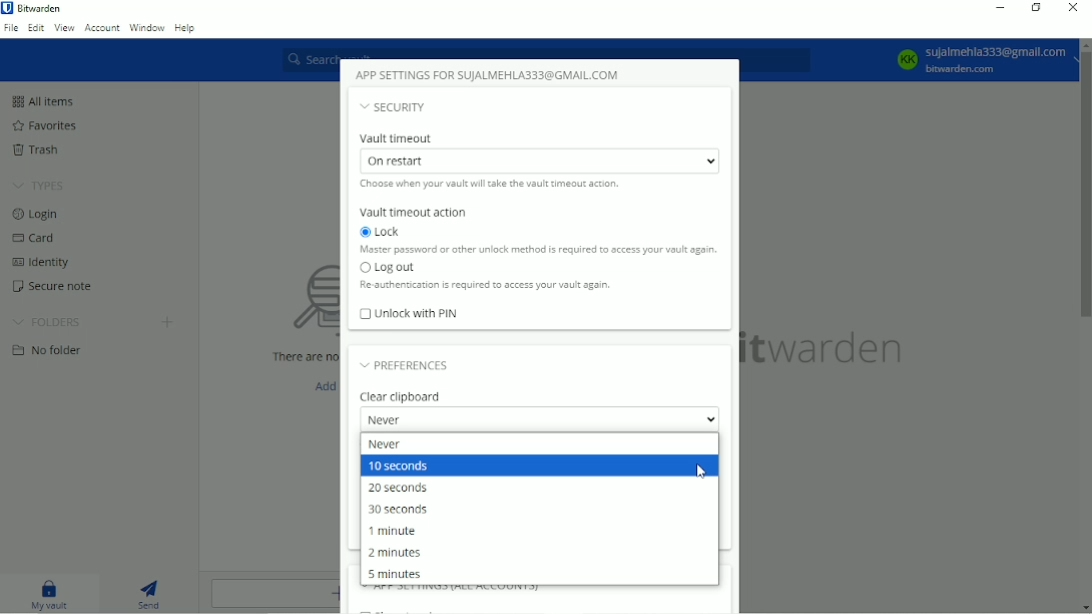  What do you see at coordinates (43, 151) in the screenshot?
I see `Trash` at bounding box center [43, 151].